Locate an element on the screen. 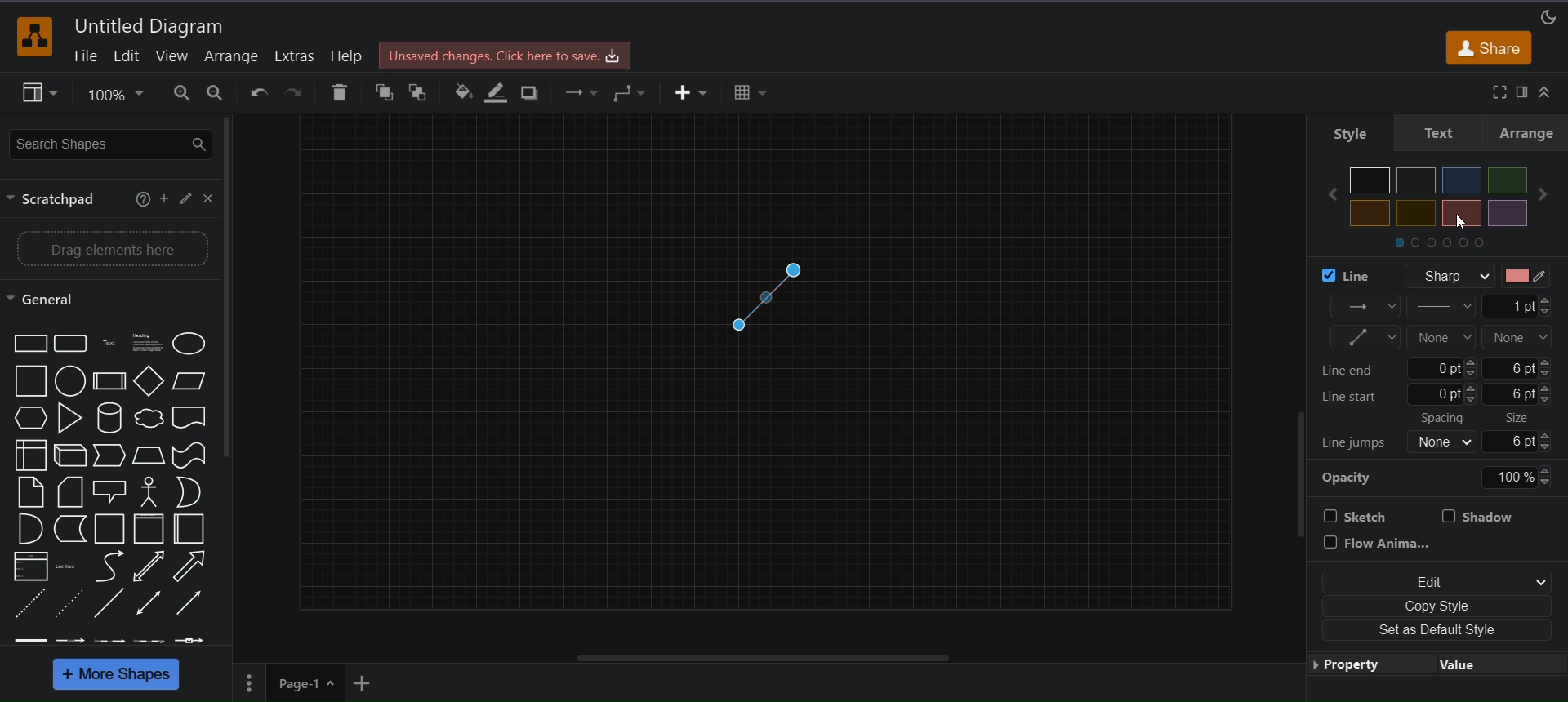 The height and width of the screenshot is (702, 1568). connection is located at coordinates (579, 92).